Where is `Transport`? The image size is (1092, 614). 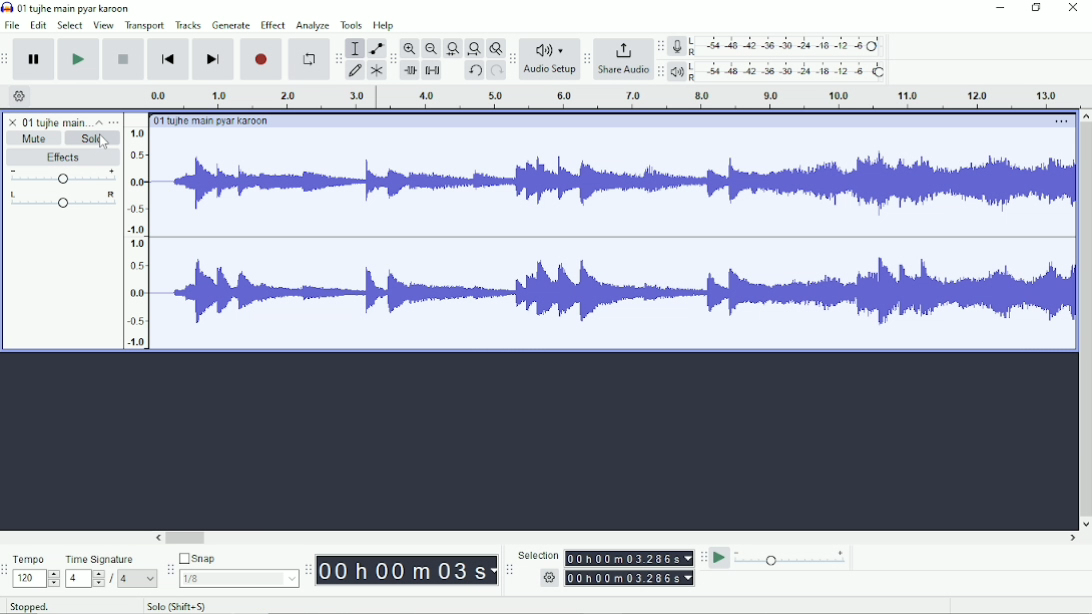 Transport is located at coordinates (145, 26).